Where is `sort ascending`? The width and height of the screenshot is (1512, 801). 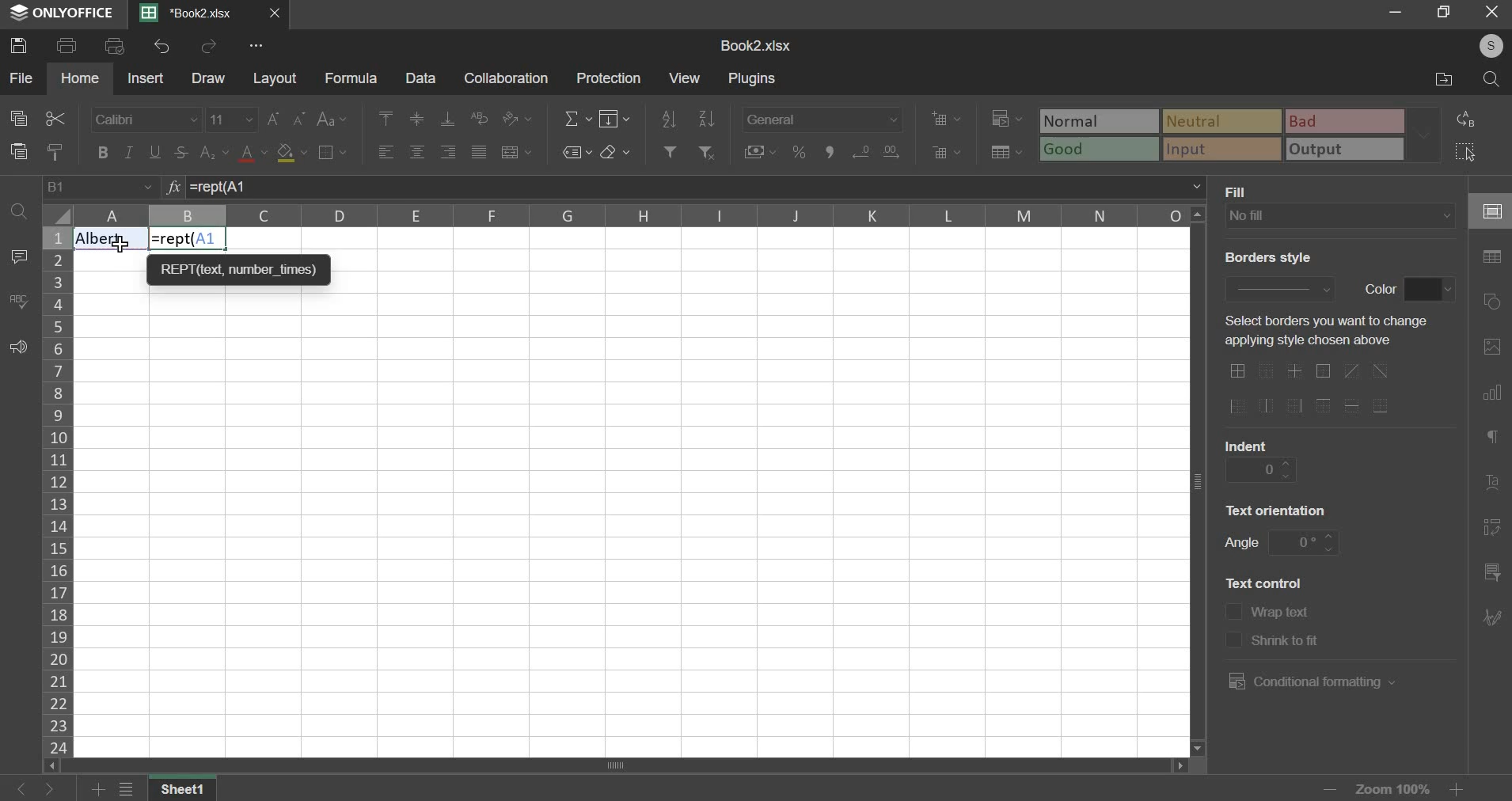
sort ascending is located at coordinates (669, 119).